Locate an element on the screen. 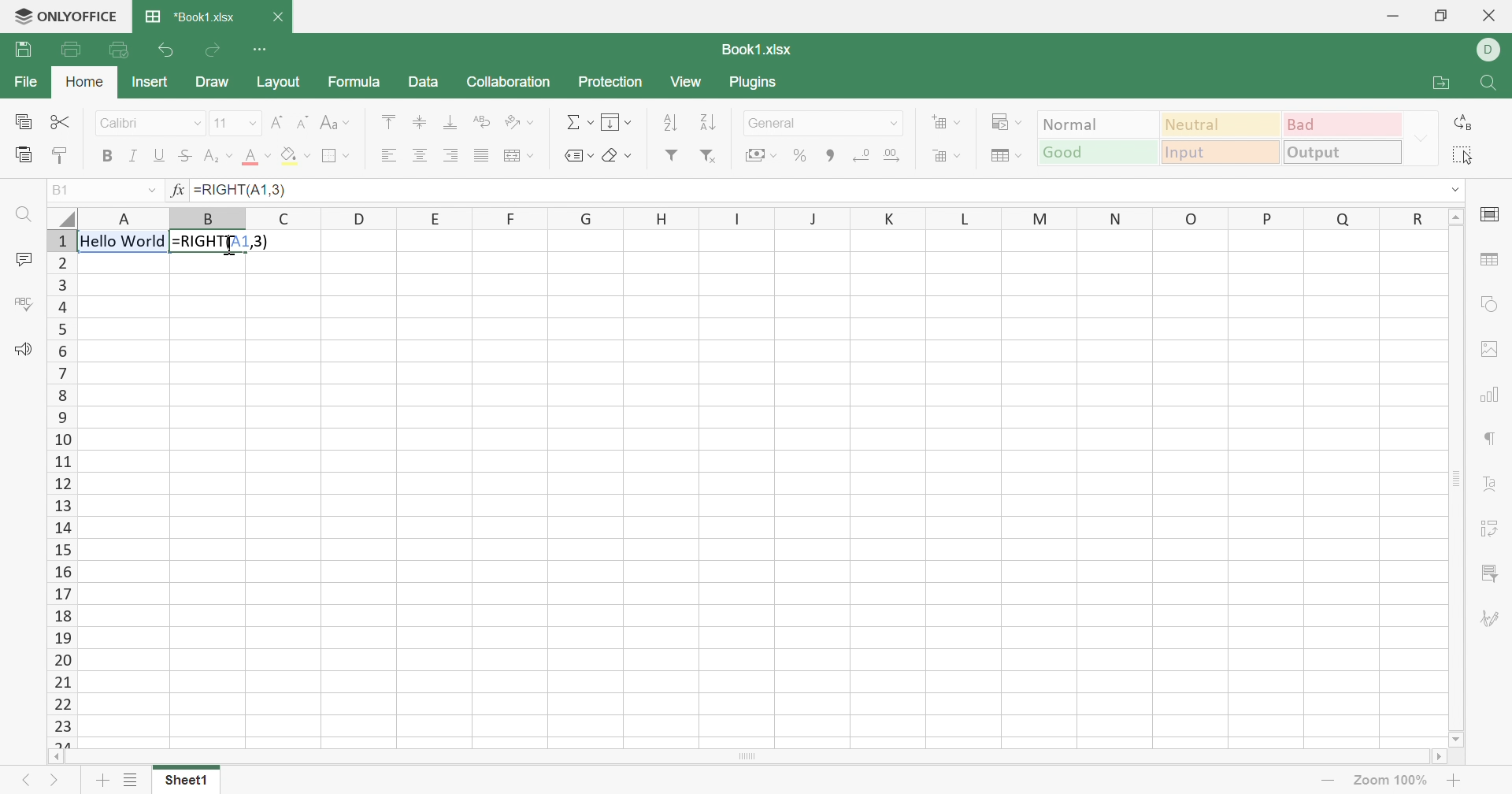 Image resolution: width=1512 pixels, height=794 pixels. Insert is located at coordinates (147, 82).